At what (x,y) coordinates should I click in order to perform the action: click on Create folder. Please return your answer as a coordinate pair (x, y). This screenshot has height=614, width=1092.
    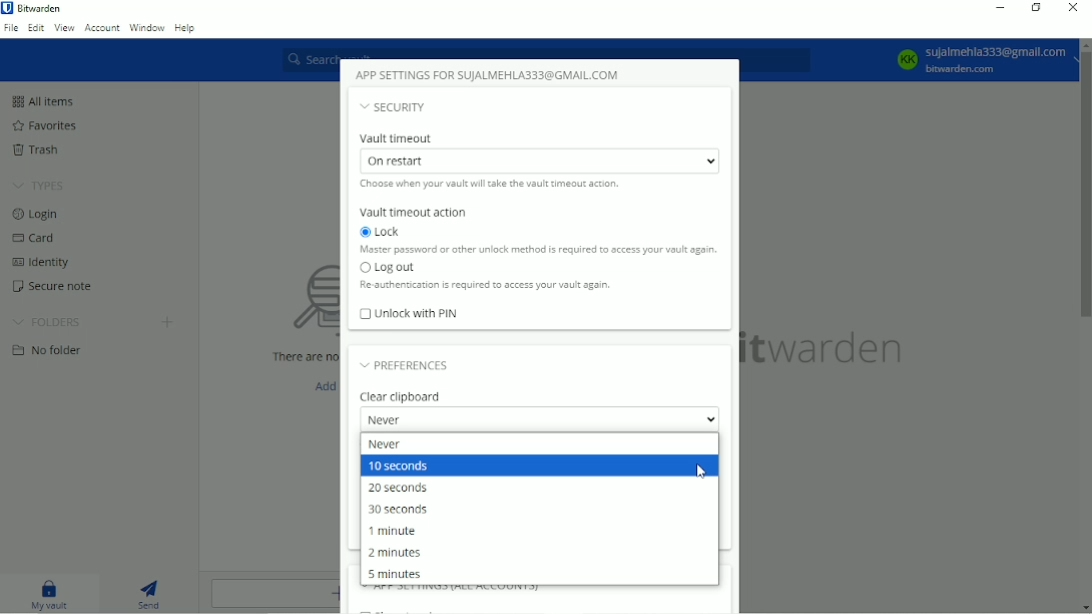
    Looking at the image, I should click on (166, 322).